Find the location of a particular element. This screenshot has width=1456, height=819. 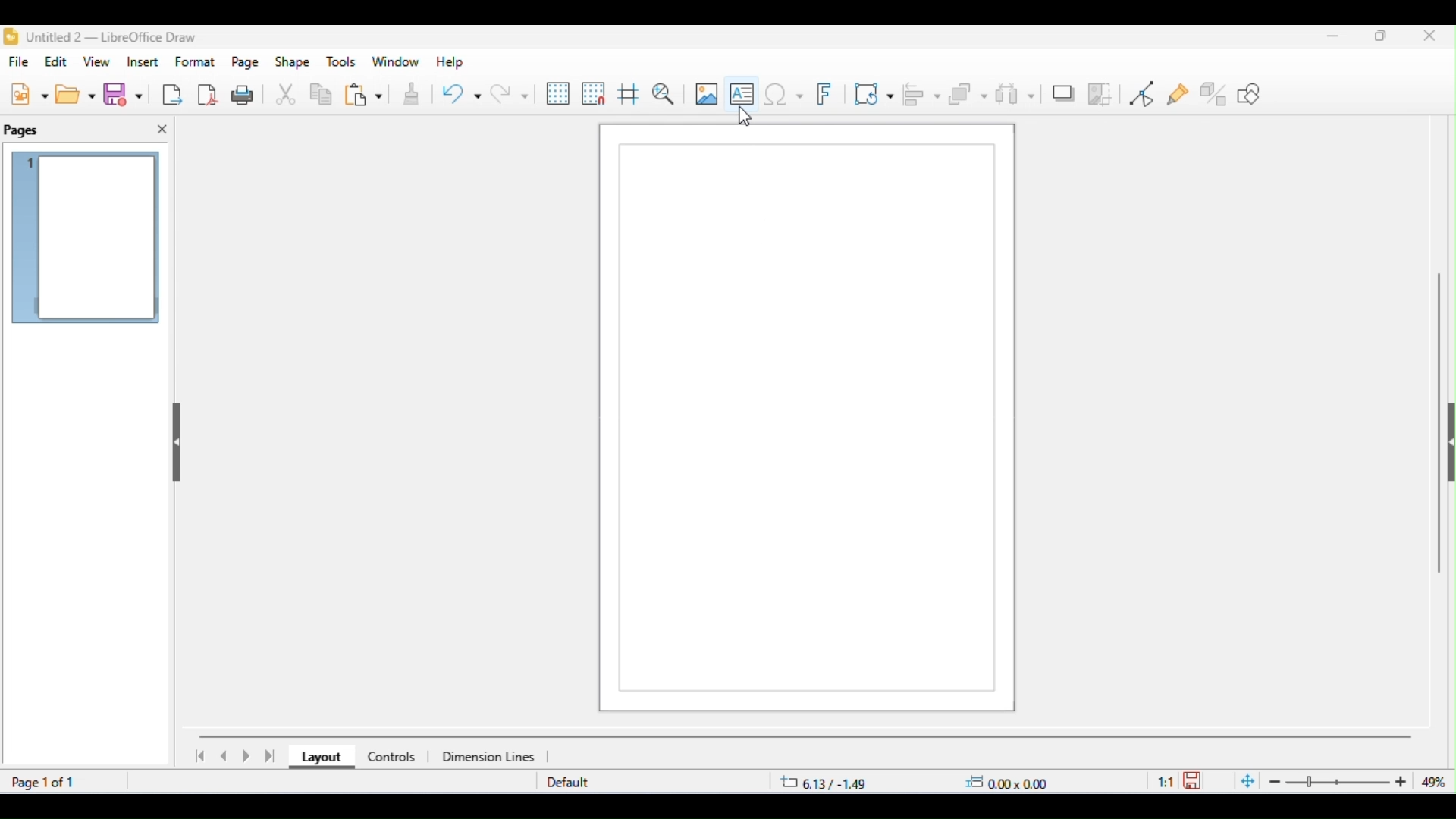

snap to grid is located at coordinates (595, 93).